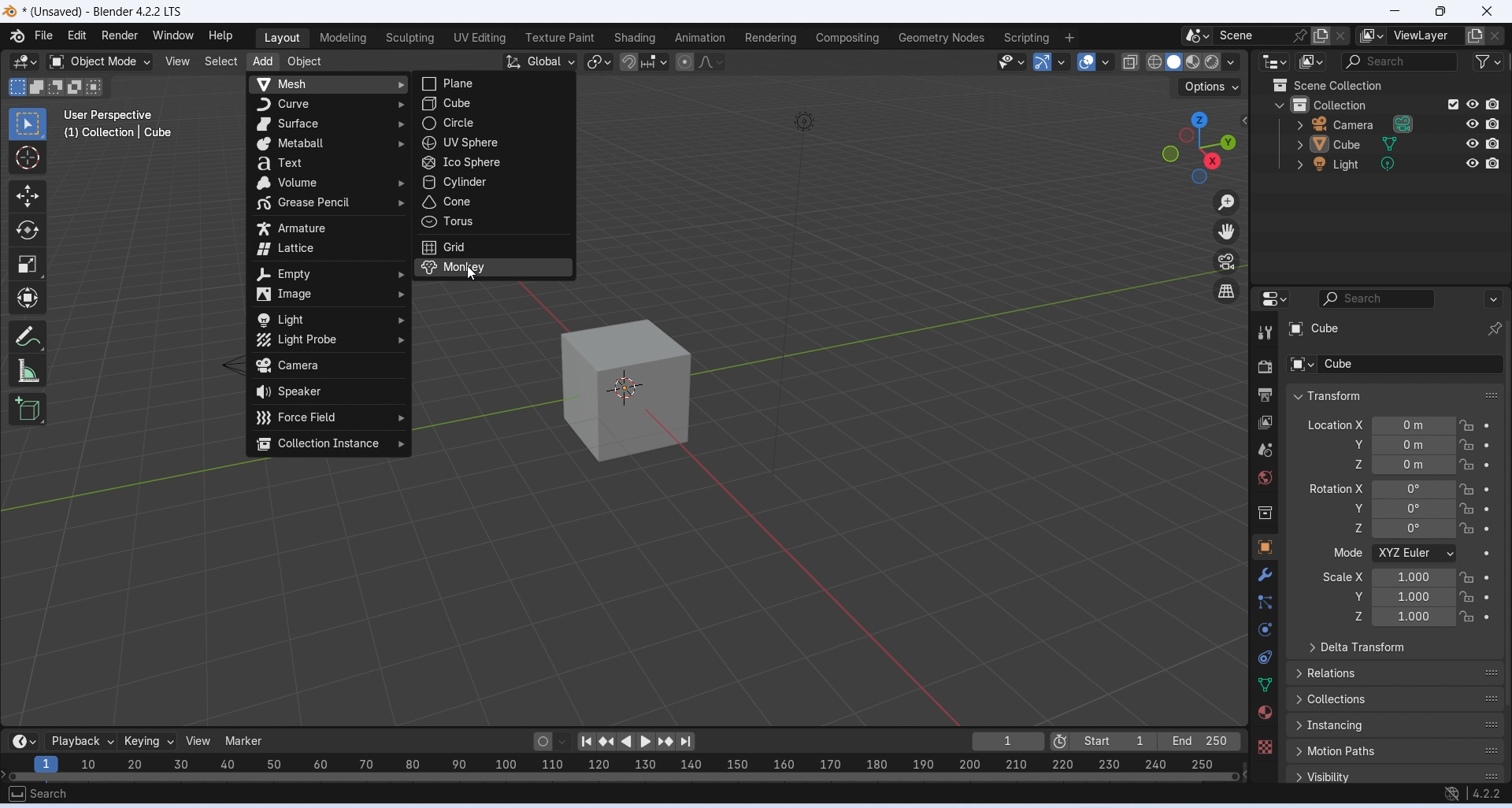 The height and width of the screenshot is (808, 1512). What do you see at coordinates (150, 742) in the screenshot?
I see `keying` at bounding box center [150, 742].